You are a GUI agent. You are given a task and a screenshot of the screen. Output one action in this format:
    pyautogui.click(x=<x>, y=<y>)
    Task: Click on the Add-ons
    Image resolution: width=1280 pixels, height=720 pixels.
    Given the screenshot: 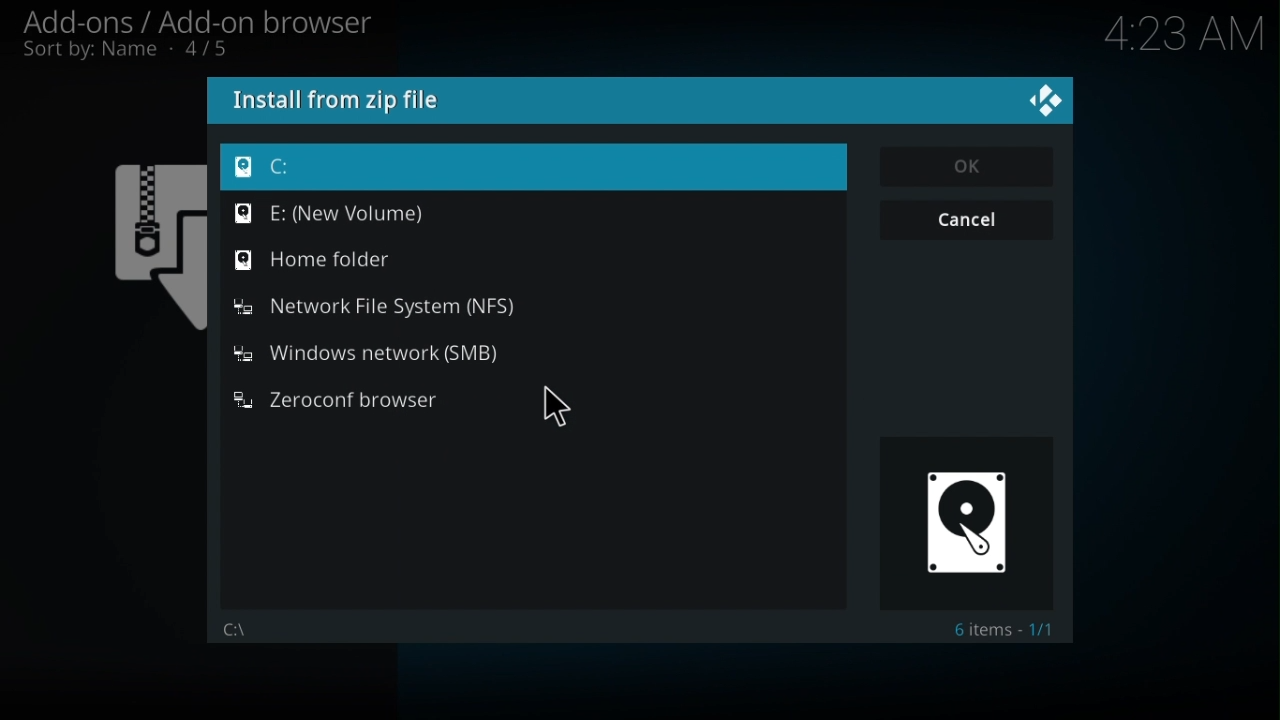 What is the action you would take?
    pyautogui.click(x=203, y=36)
    